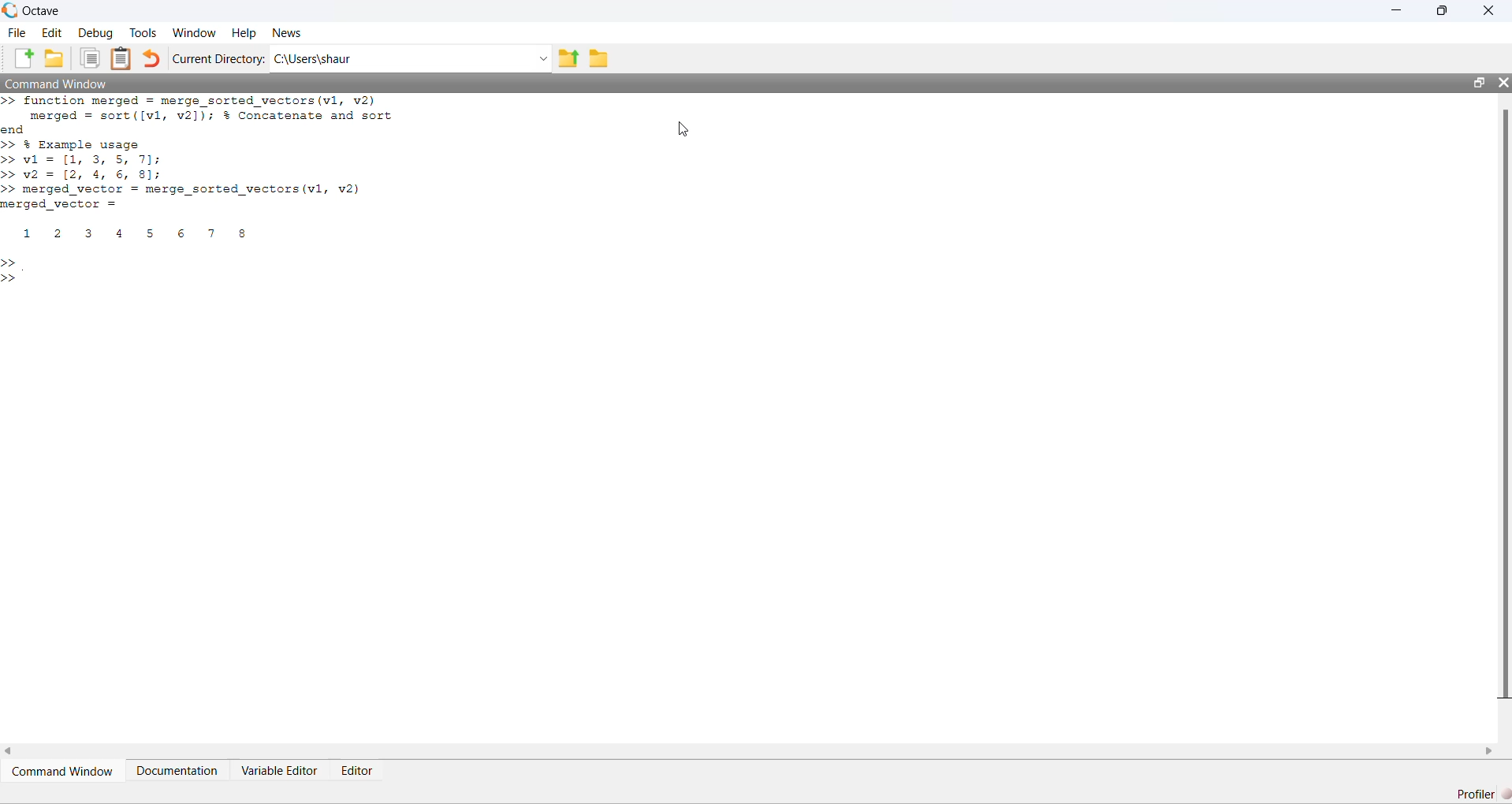 Image resolution: width=1512 pixels, height=804 pixels. Describe the element at coordinates (177, 769) in the screenshot. I see `Documentation` at that location.